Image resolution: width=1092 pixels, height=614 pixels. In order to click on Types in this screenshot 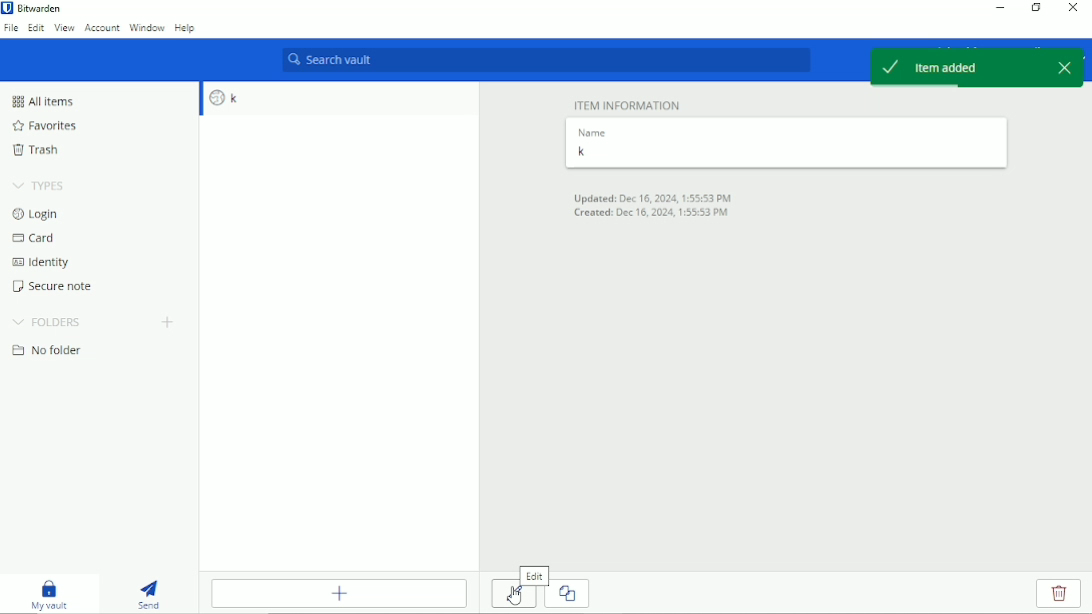, I will do `click(41, 185)`.